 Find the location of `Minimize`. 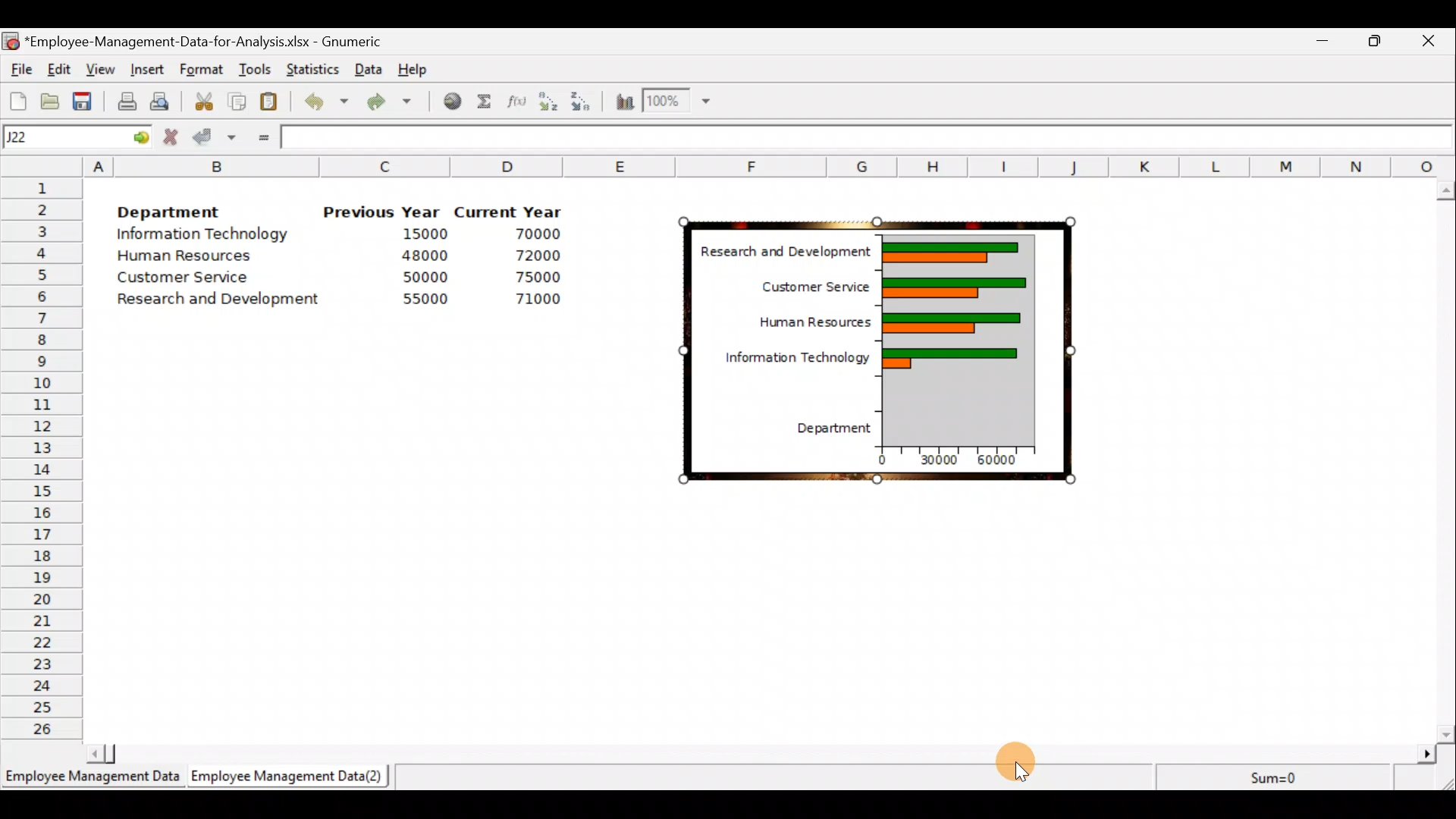

Minimize is located at coordinates (1323, 40).